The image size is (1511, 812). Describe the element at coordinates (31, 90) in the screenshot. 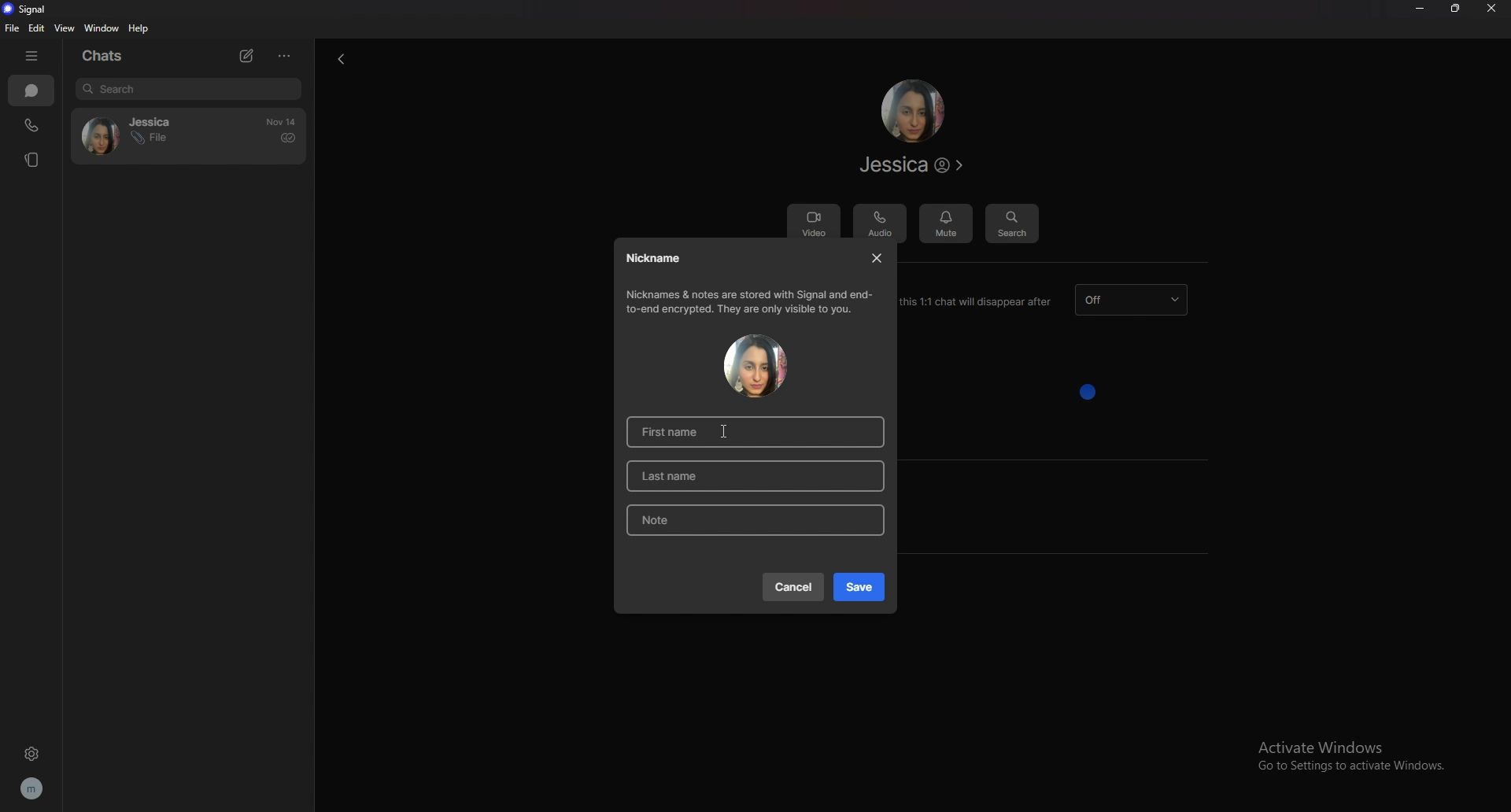

I see `chats` at that location.